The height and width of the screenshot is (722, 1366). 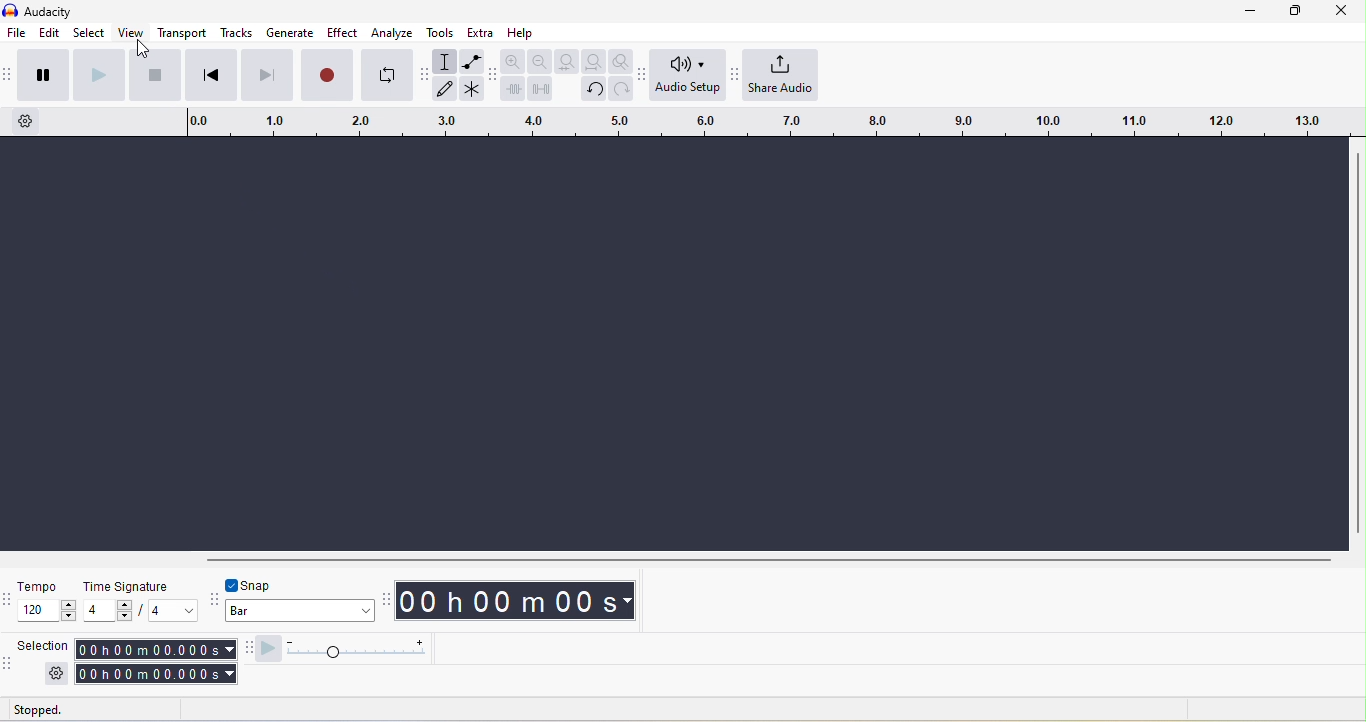 I want to click on redo, so click(x=621, y=89).